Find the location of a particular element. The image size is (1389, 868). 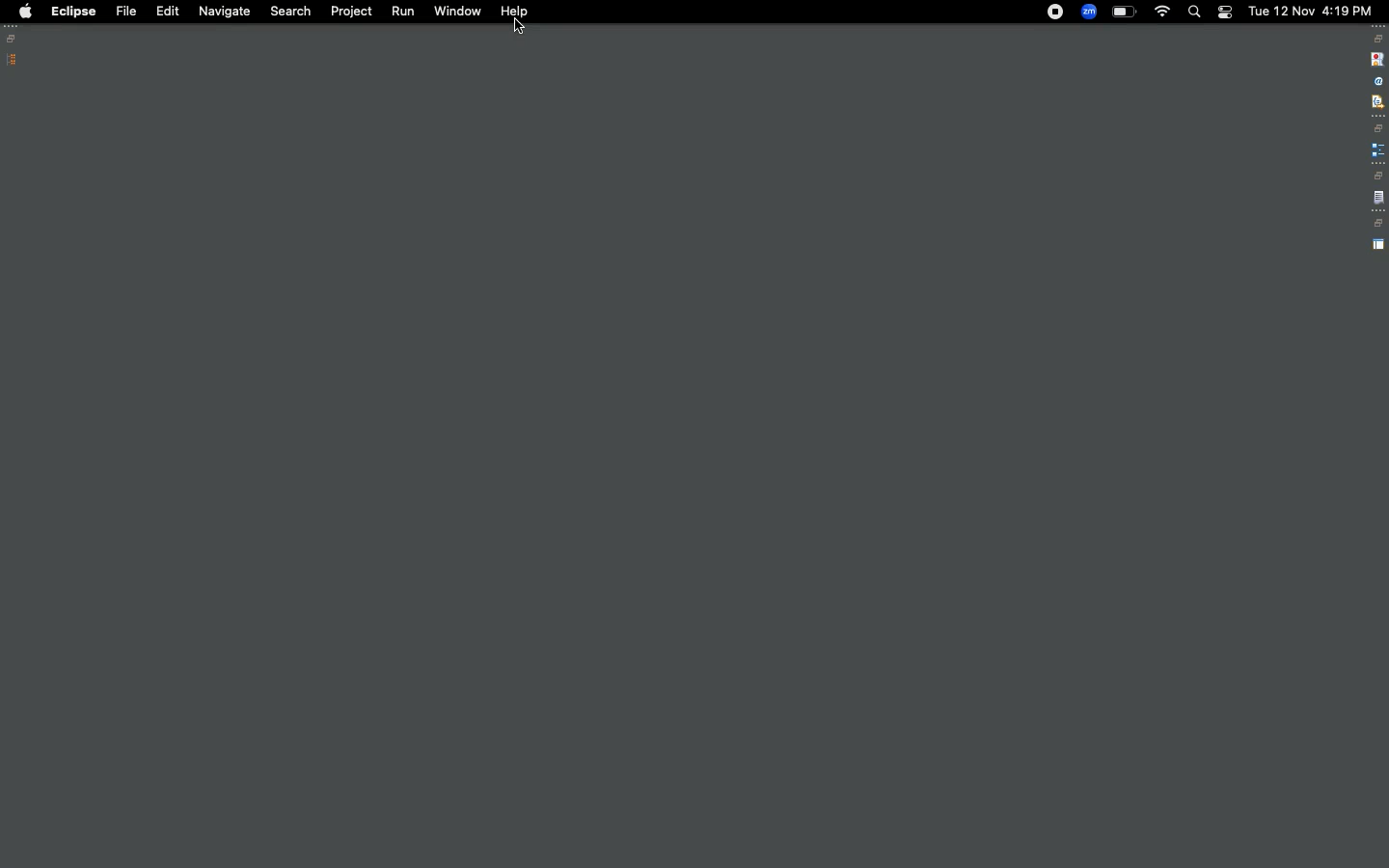

extension point is located at coordinates (1377, 149).